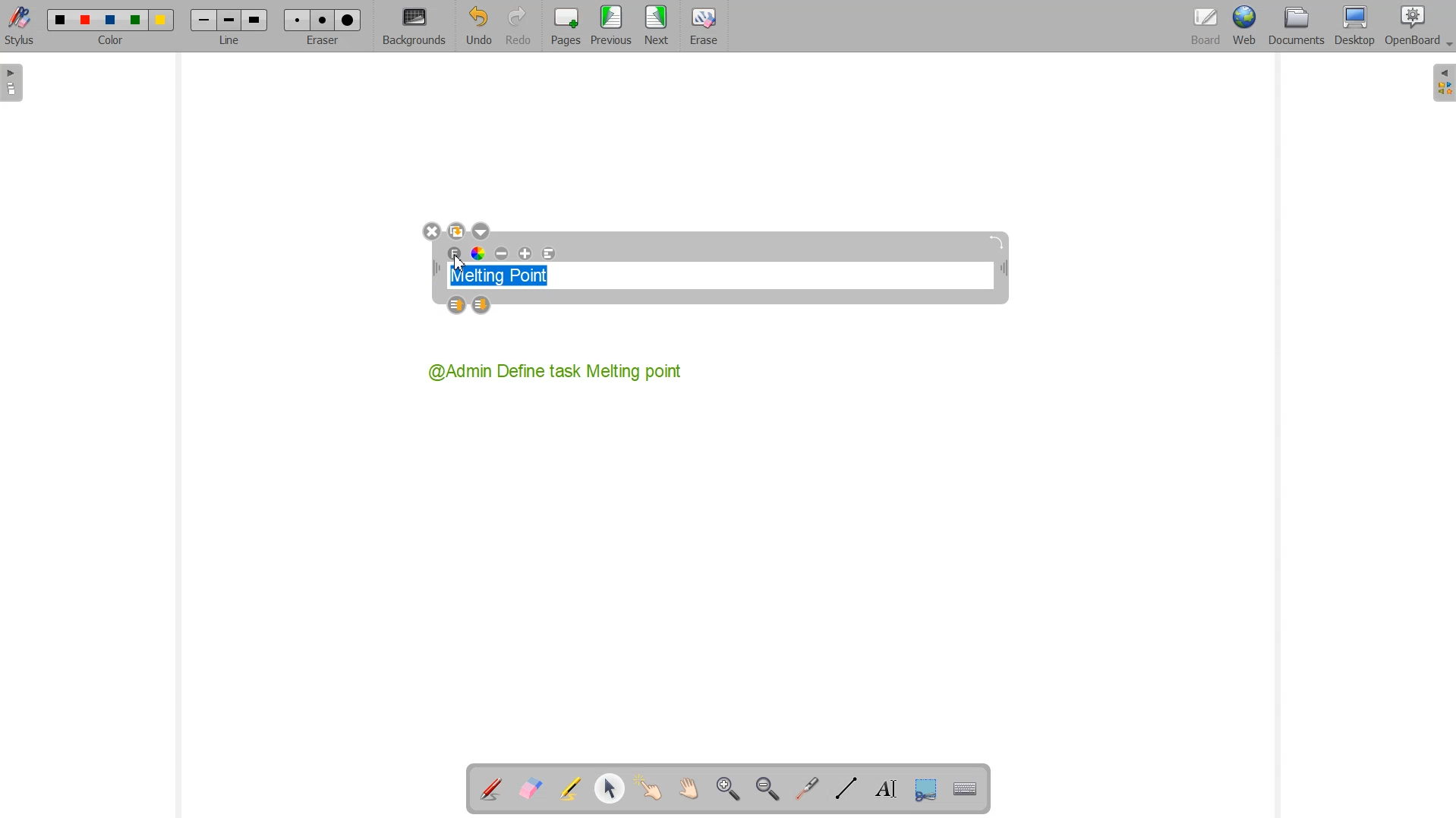 Image resolution: width=1456 pixels, height=818 pixels. What do you see at coordinates (923, 788) in the screenshot?
I see `Capture part of the screen` at bounding box center [923, 788].